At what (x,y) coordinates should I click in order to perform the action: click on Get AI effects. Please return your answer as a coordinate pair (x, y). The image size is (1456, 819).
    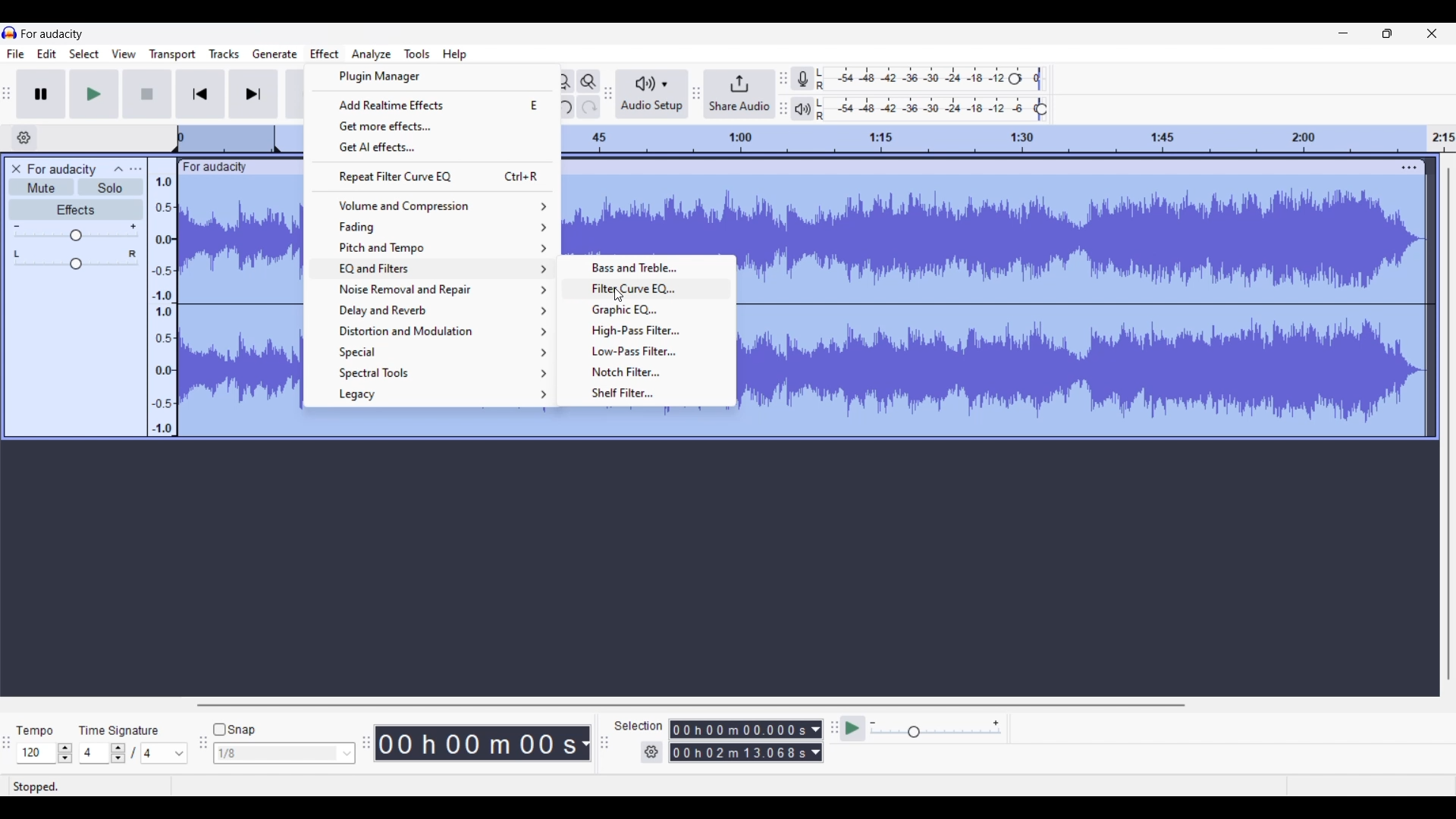
    Looking at the image, I should click on (432, 148).